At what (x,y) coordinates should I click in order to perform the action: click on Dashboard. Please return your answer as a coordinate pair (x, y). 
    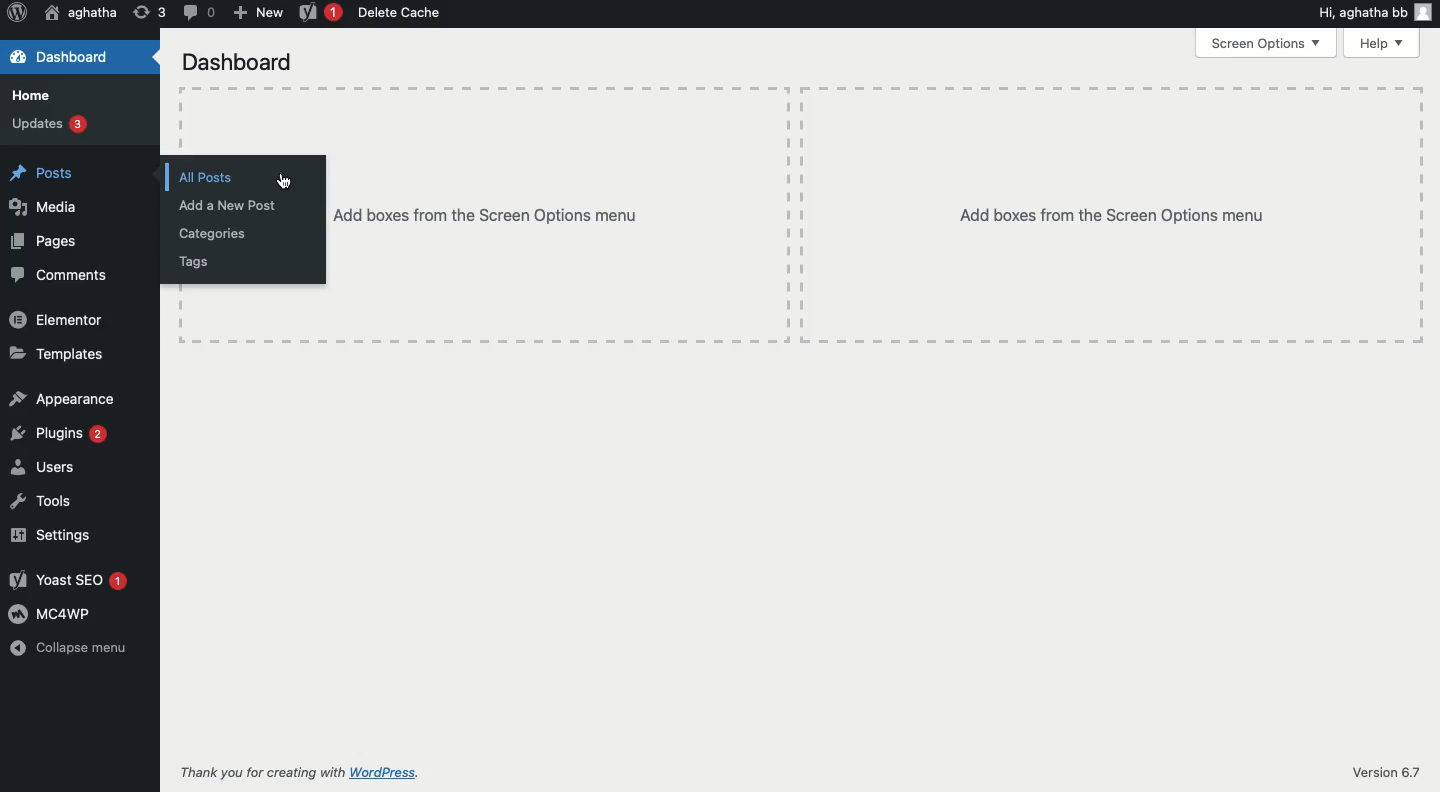
    Looking at the image, I should click on (236, 62).